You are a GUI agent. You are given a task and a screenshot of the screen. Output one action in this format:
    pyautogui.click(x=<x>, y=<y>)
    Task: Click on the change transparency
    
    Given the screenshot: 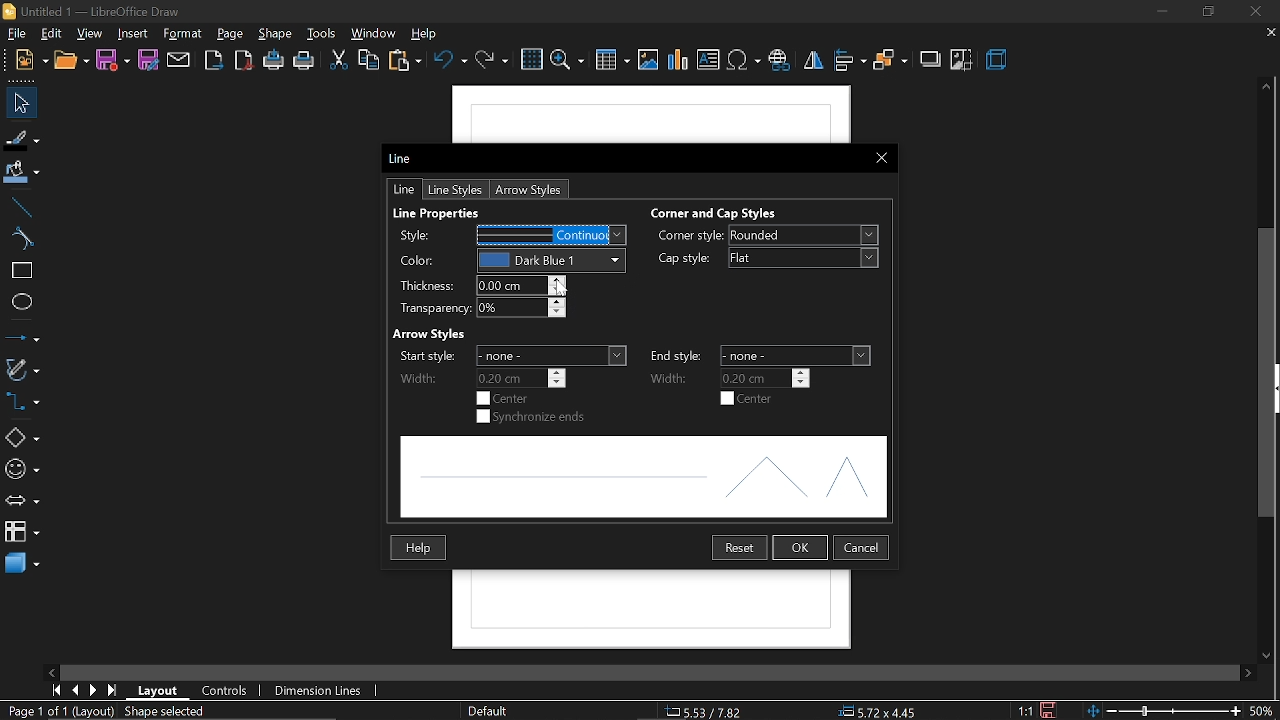 What is the action you would take?
    pyautogui.click(x=520, y=309)
    